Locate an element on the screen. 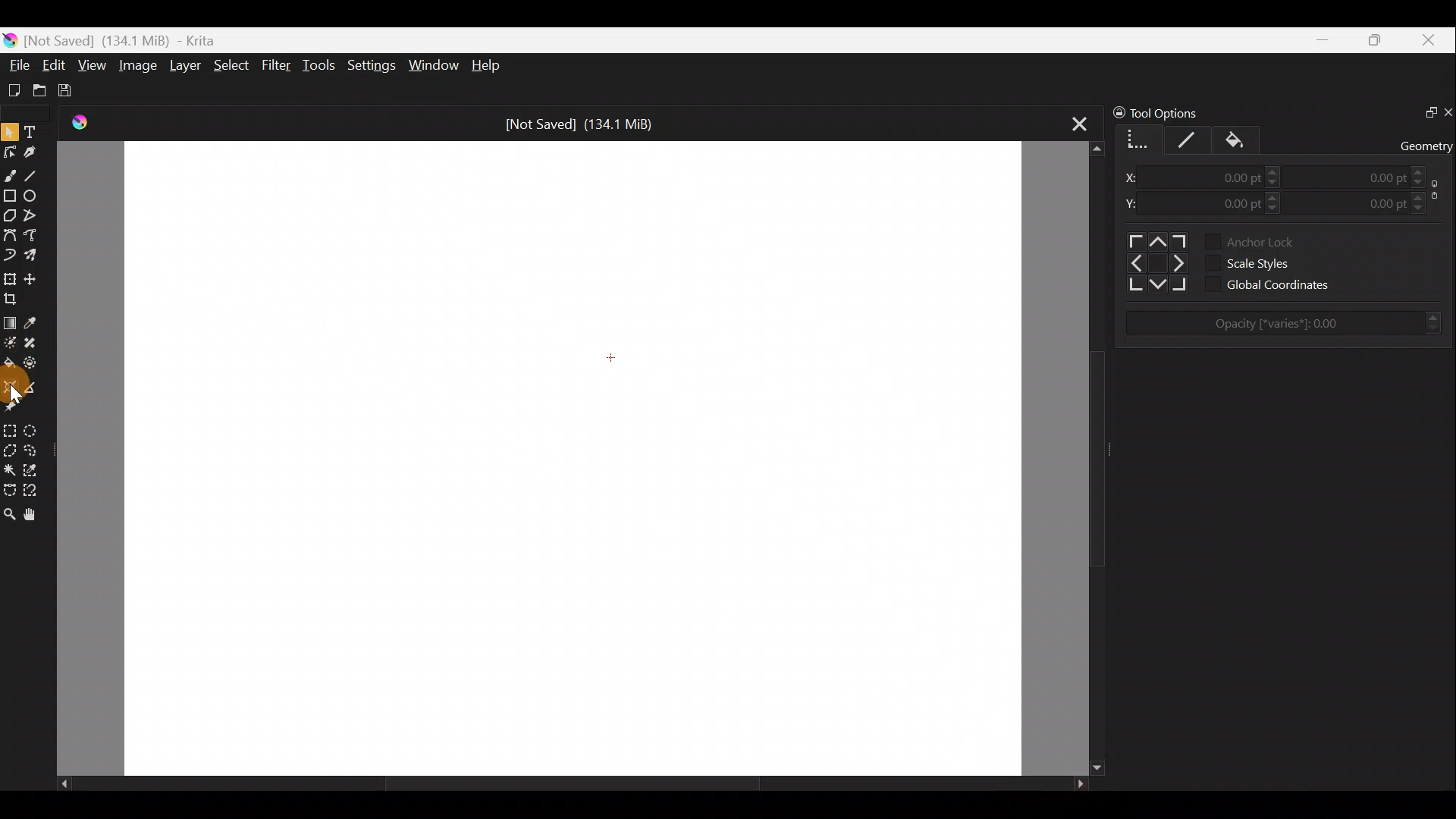 The image size is (1456, 819). Open existing document is located at coordinates (37, 89).